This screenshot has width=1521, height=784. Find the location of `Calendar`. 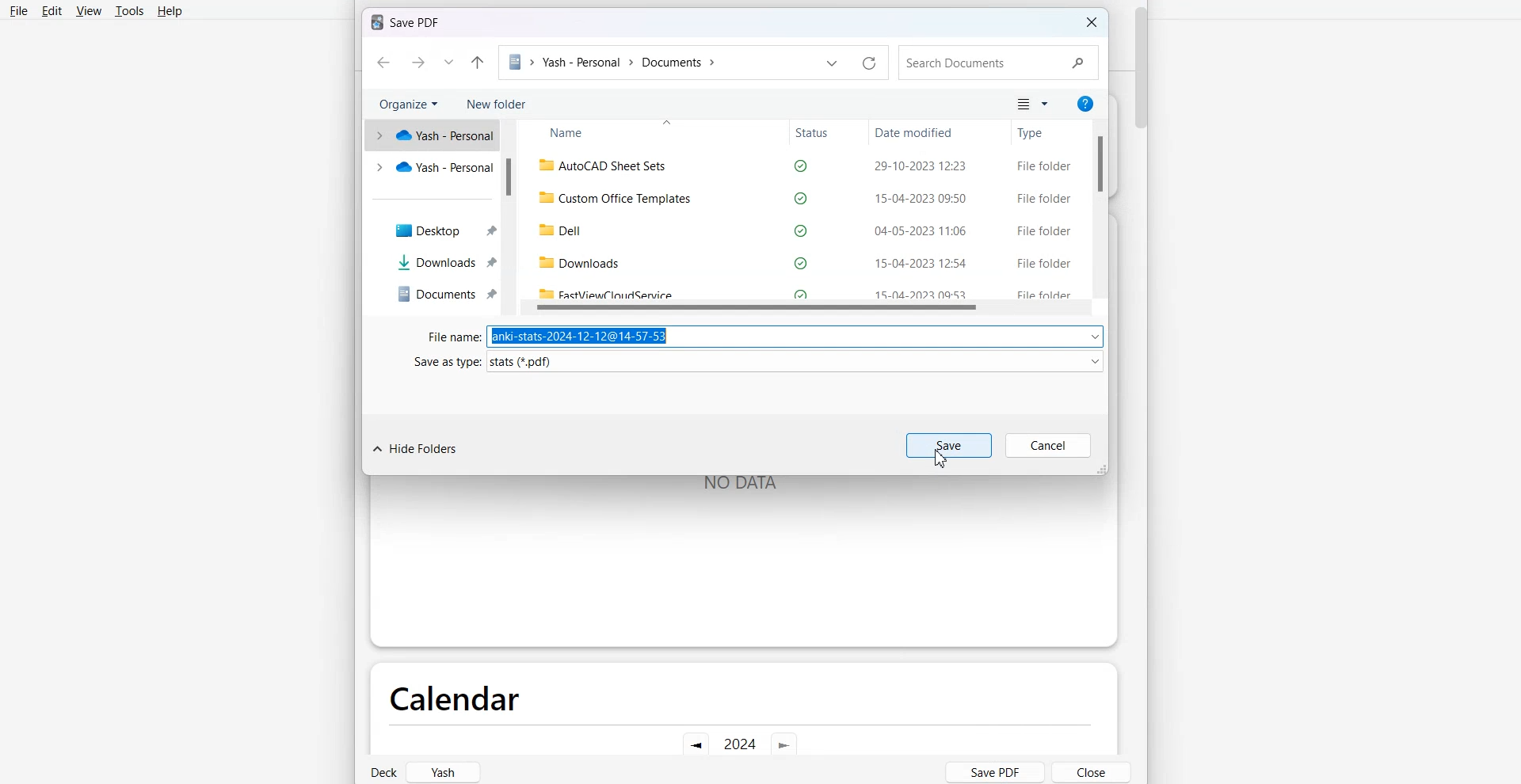

Calendar is located at coordinates (453, 696).